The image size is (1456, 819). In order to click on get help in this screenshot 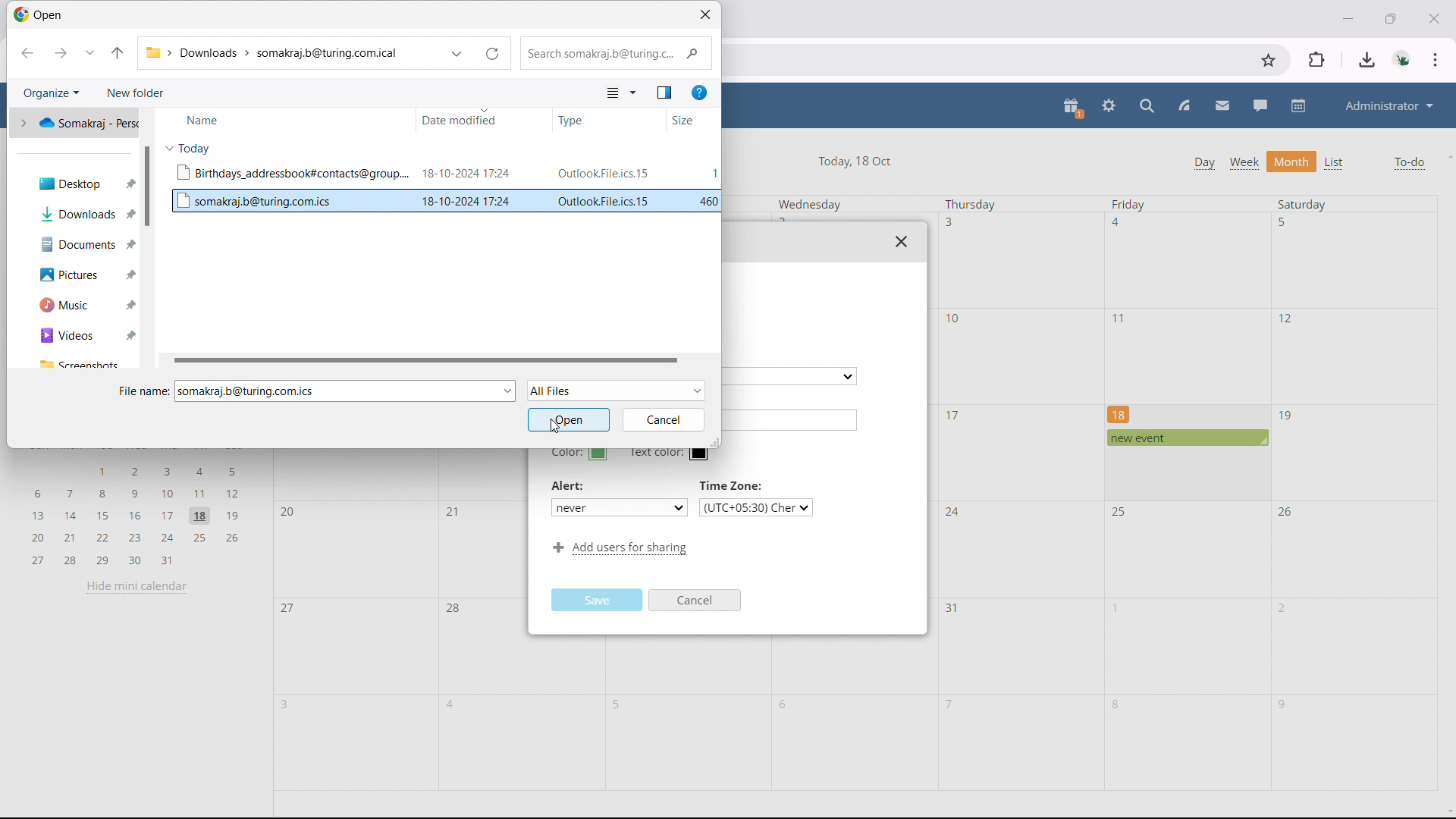, I will do `click(698, 93)`.